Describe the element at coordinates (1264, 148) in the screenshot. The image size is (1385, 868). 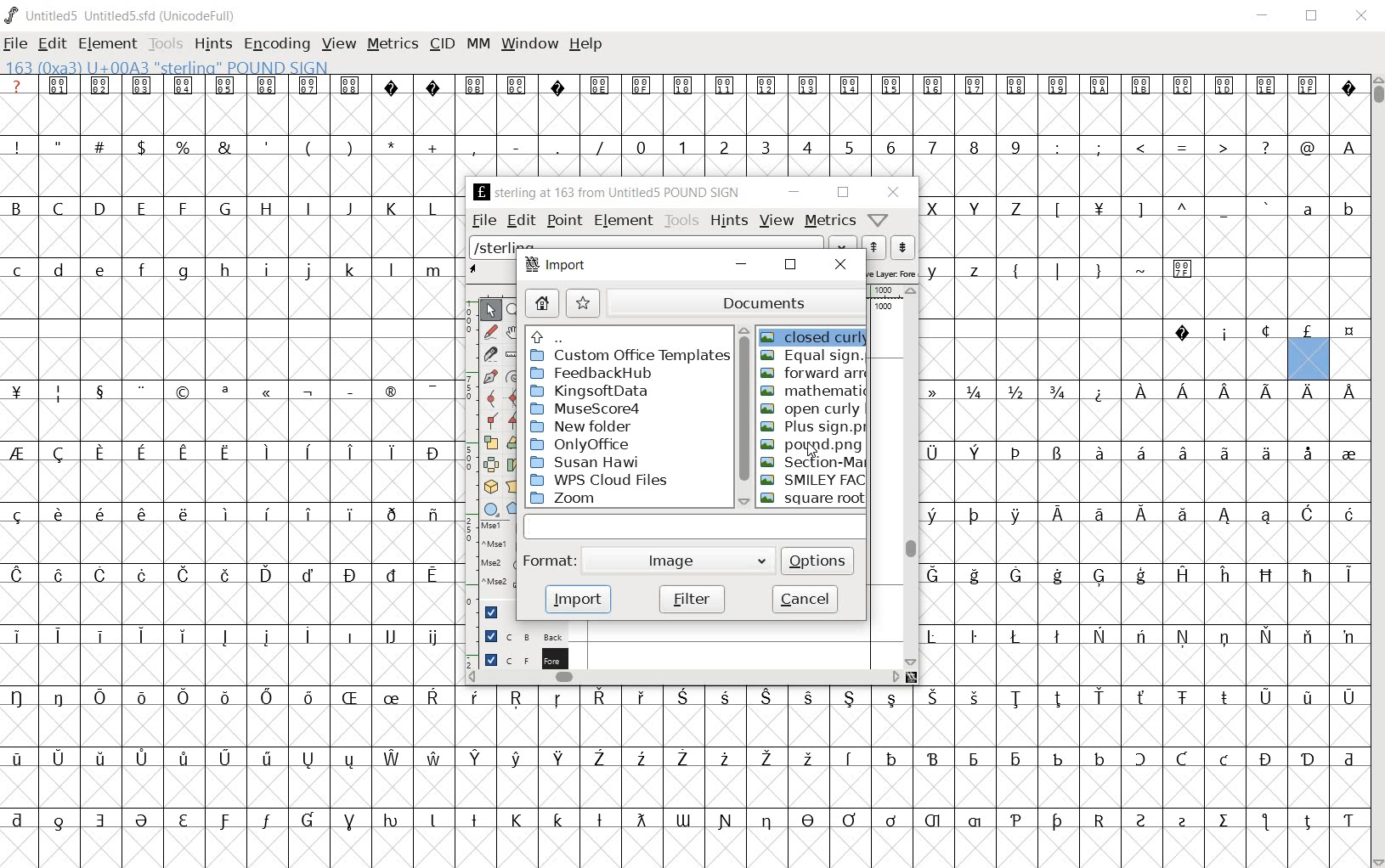
I see `?` at that location.